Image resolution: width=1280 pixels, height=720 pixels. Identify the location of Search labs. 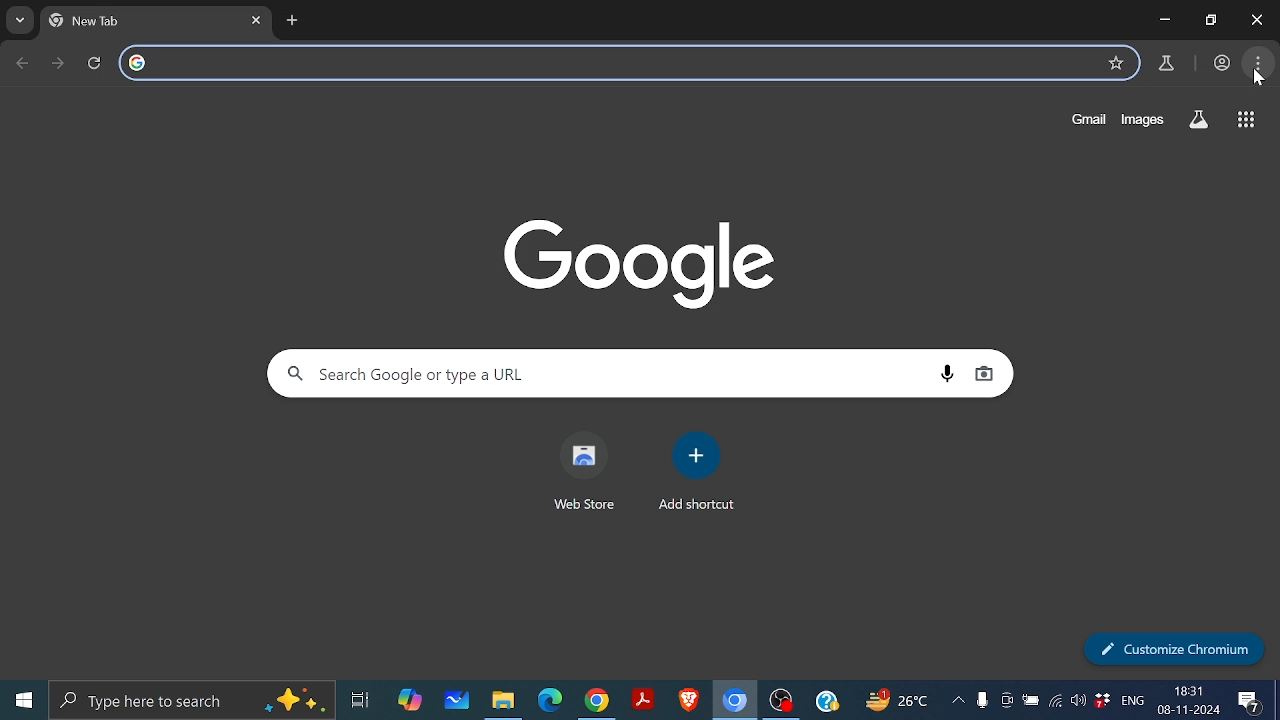
(1198, 120).